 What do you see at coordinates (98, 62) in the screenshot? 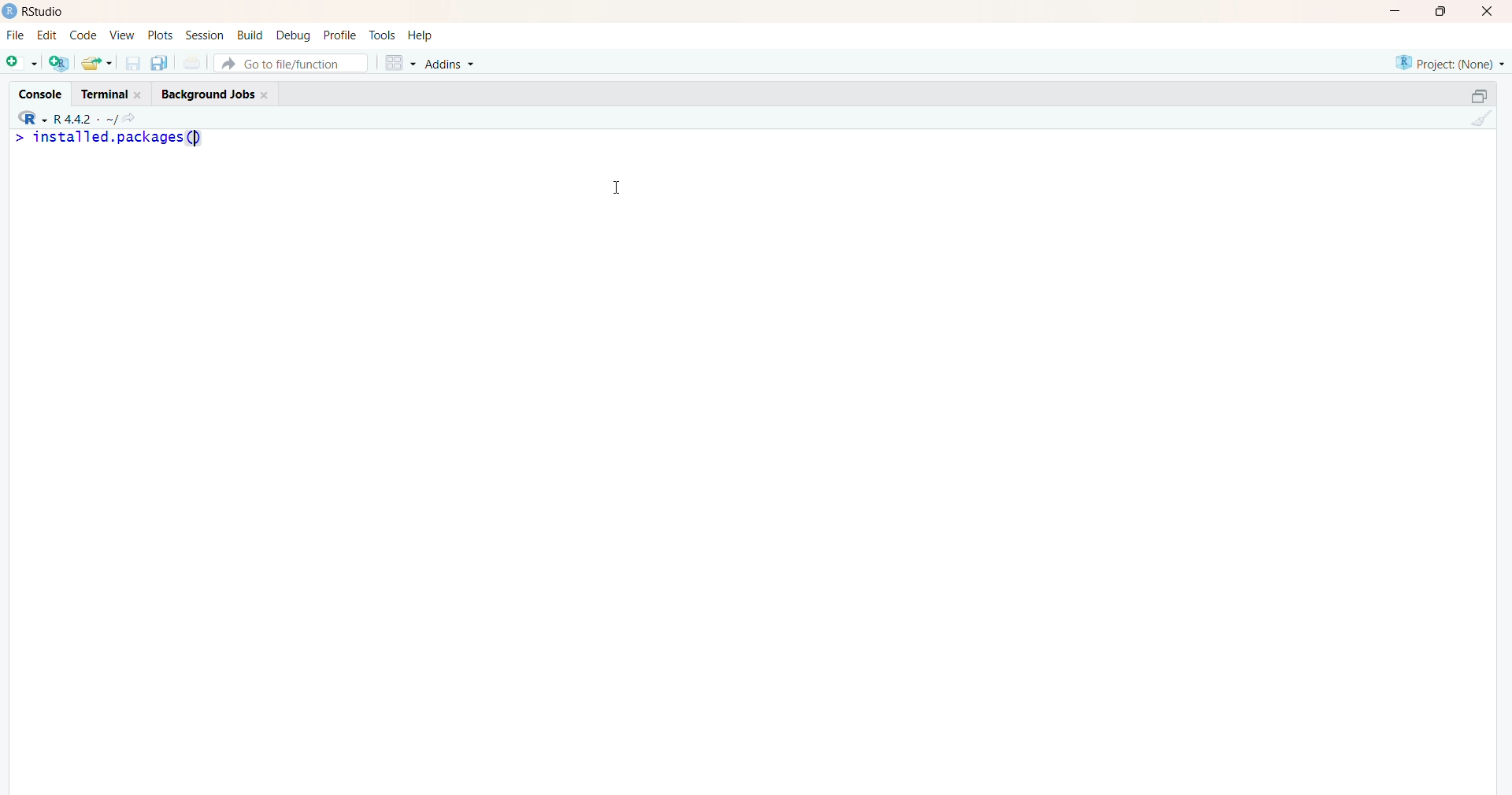
I see `open an existing file` at bounding box center [98, 62].